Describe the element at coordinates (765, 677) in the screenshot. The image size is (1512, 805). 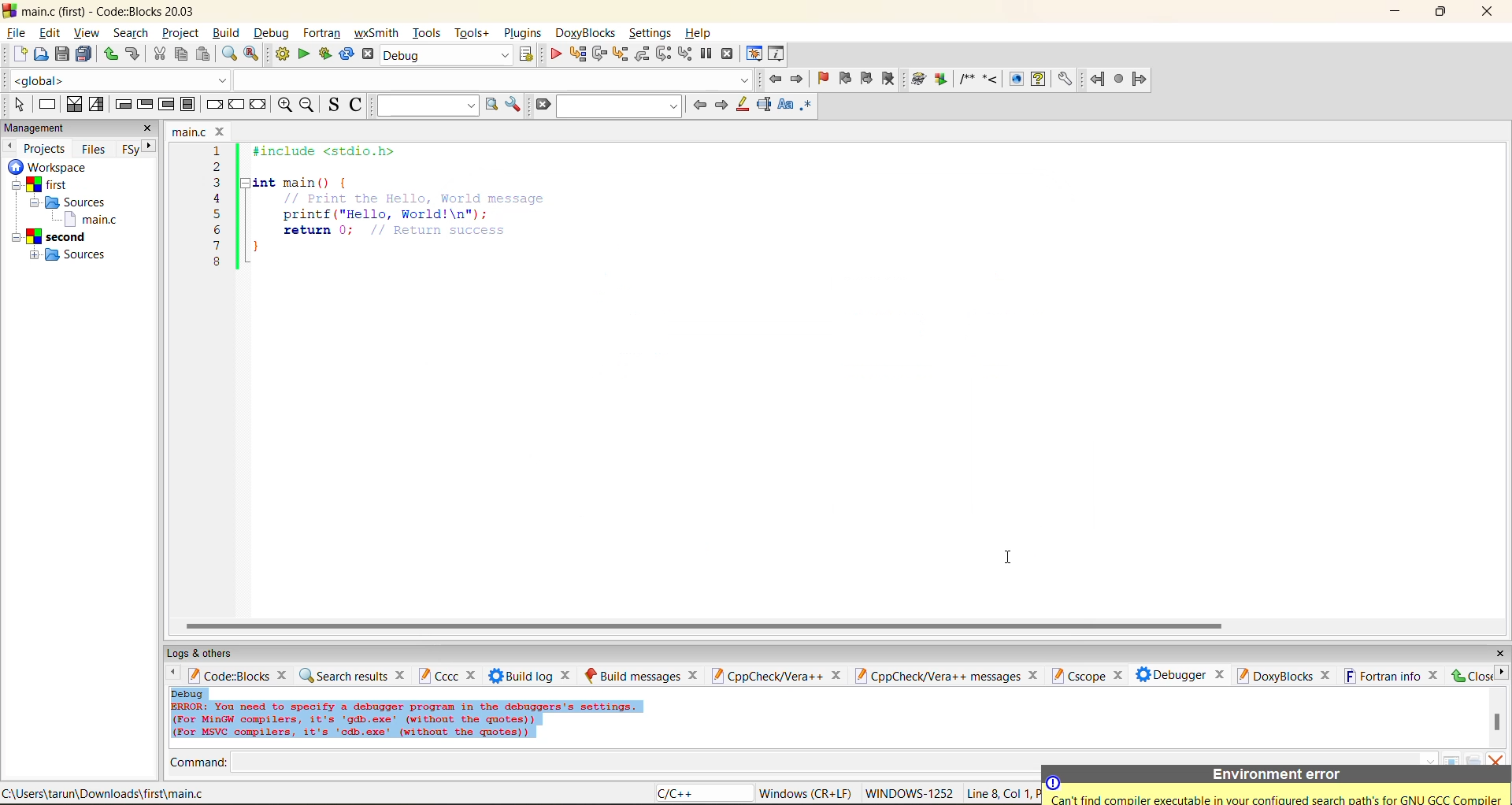
I see `cppcheck/vera++` at that location.